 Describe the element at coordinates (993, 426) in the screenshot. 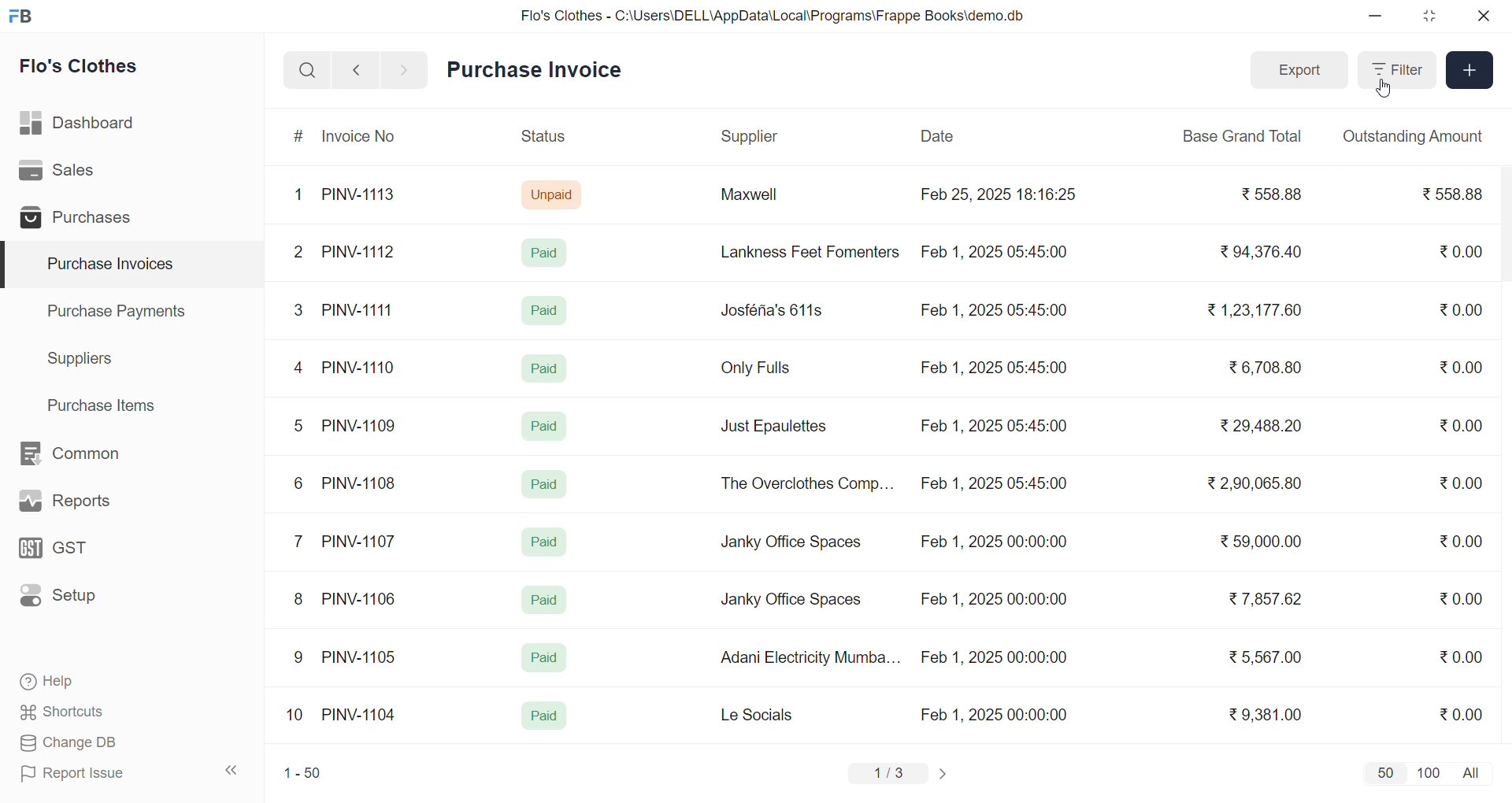

I see `Feb 1, 2025 05:45:00` at that location.